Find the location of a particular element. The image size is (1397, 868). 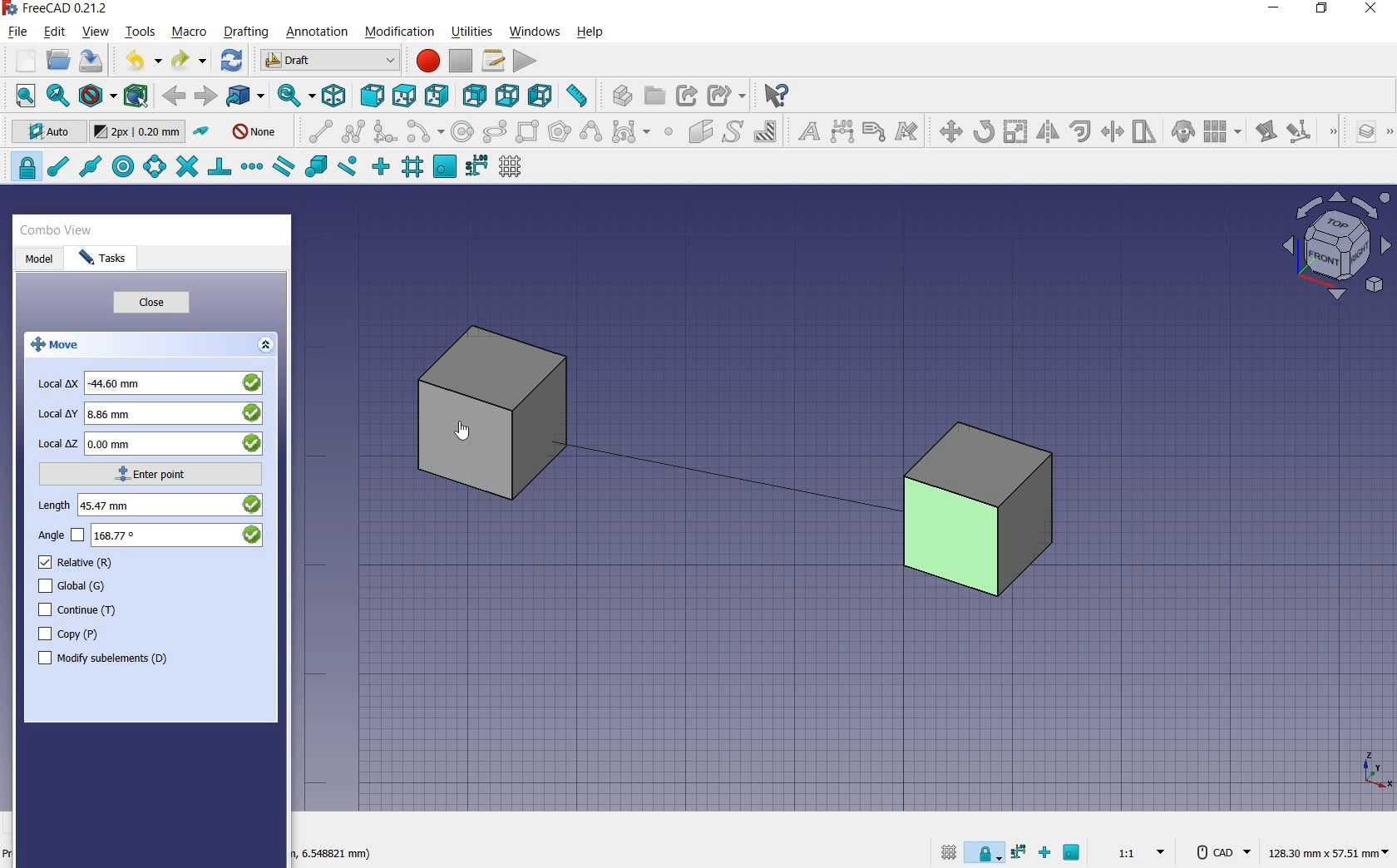

text is located at coordinates (806, 131).